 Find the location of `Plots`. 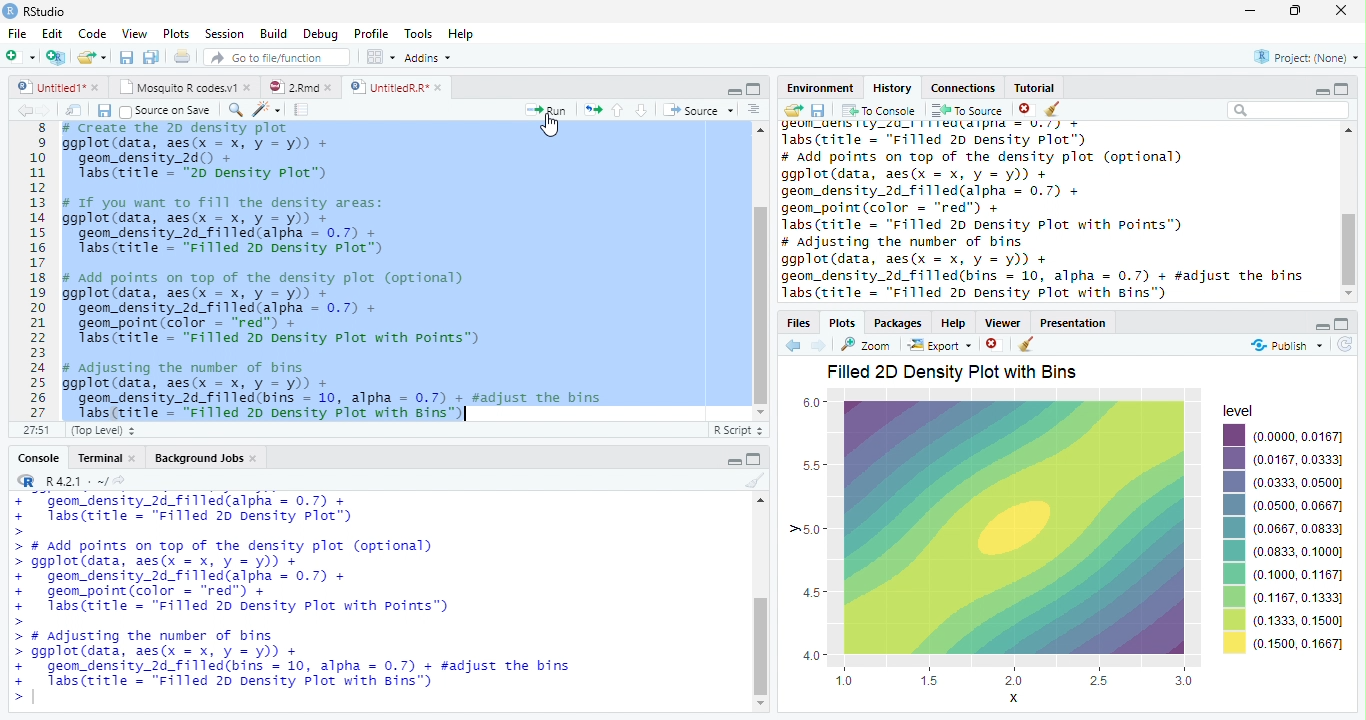

Plots is located at coordinates (841, 322).